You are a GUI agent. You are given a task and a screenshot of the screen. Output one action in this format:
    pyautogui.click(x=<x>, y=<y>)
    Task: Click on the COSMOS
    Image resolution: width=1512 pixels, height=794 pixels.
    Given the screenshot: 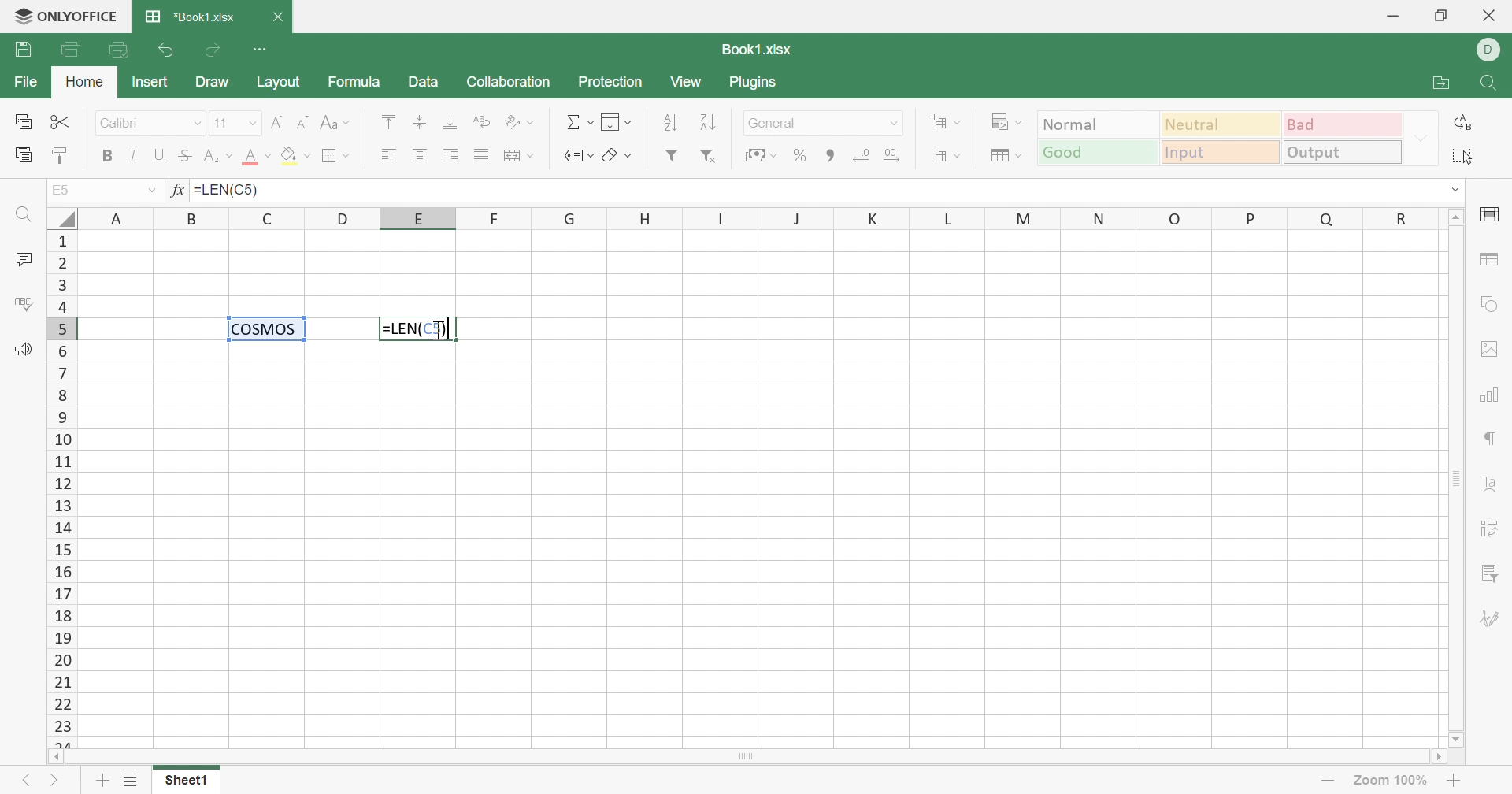 What is the action you would take?
    pyautogui.click(x=272, y=331)
    